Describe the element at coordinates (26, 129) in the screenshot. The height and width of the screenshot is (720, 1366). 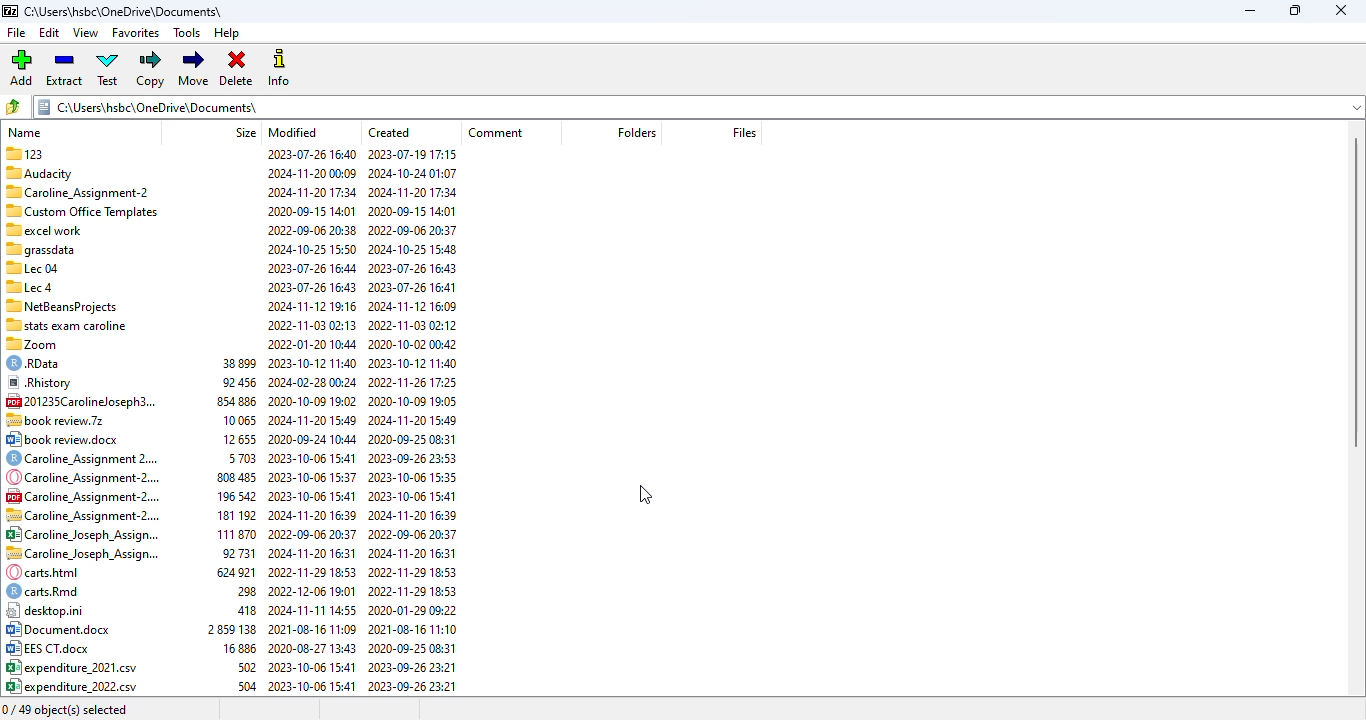
I see `name` at that location.